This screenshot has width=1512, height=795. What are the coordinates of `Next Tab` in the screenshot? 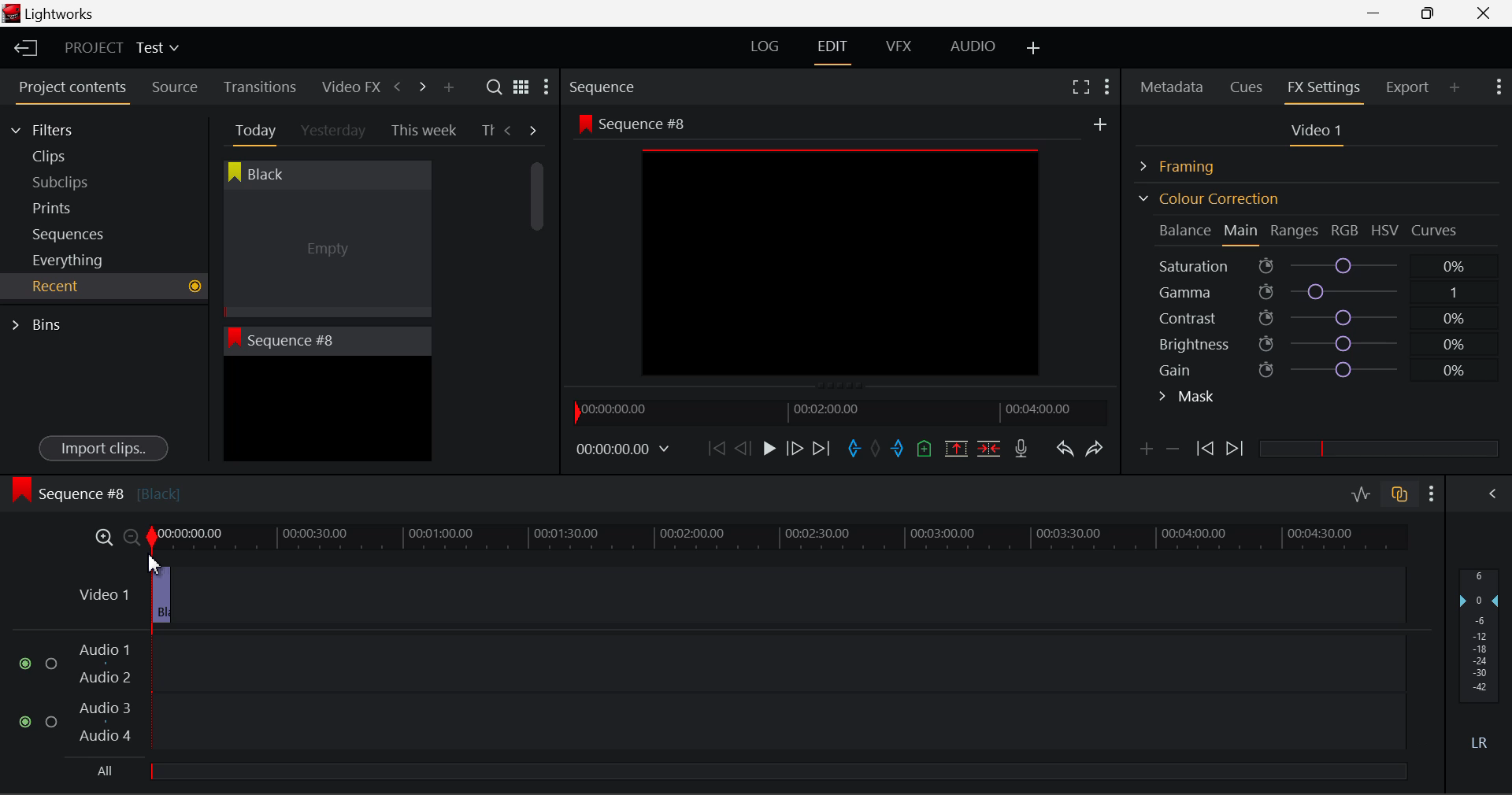 It's located at (534, 129).